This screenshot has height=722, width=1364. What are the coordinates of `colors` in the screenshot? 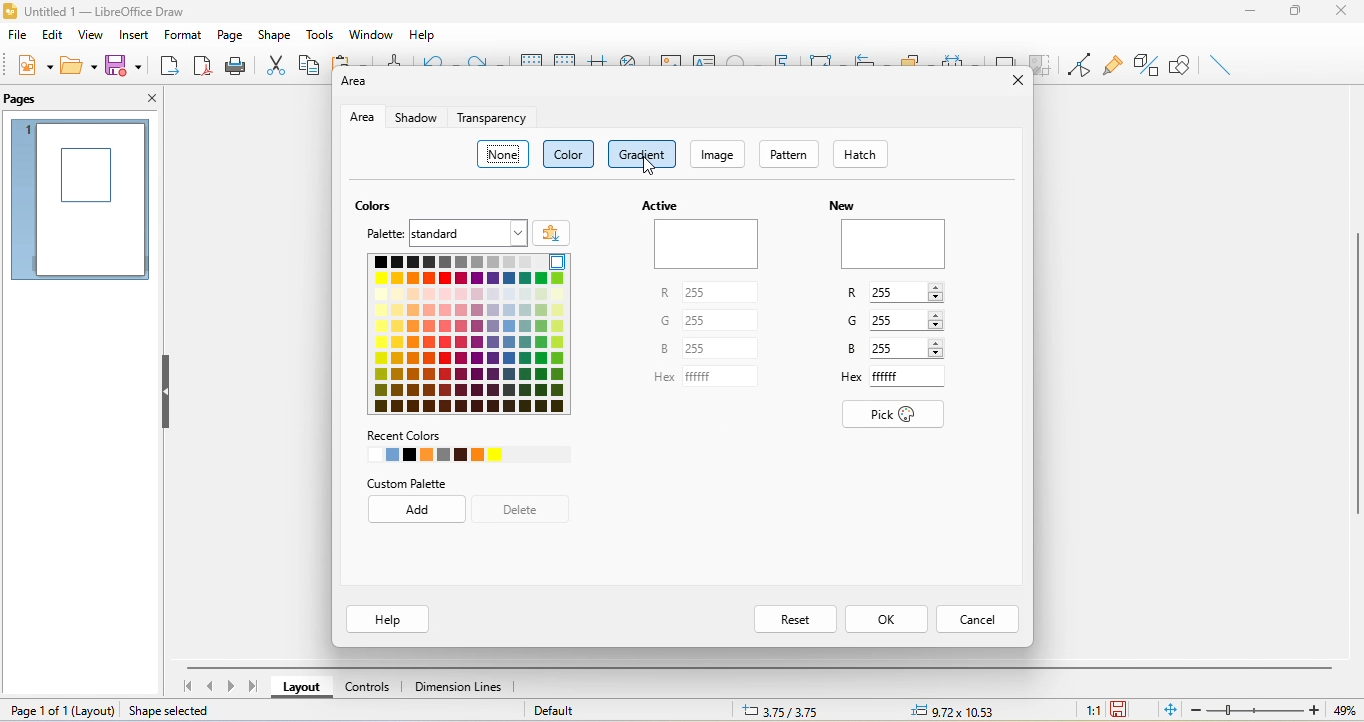 It's located at (371, 206).